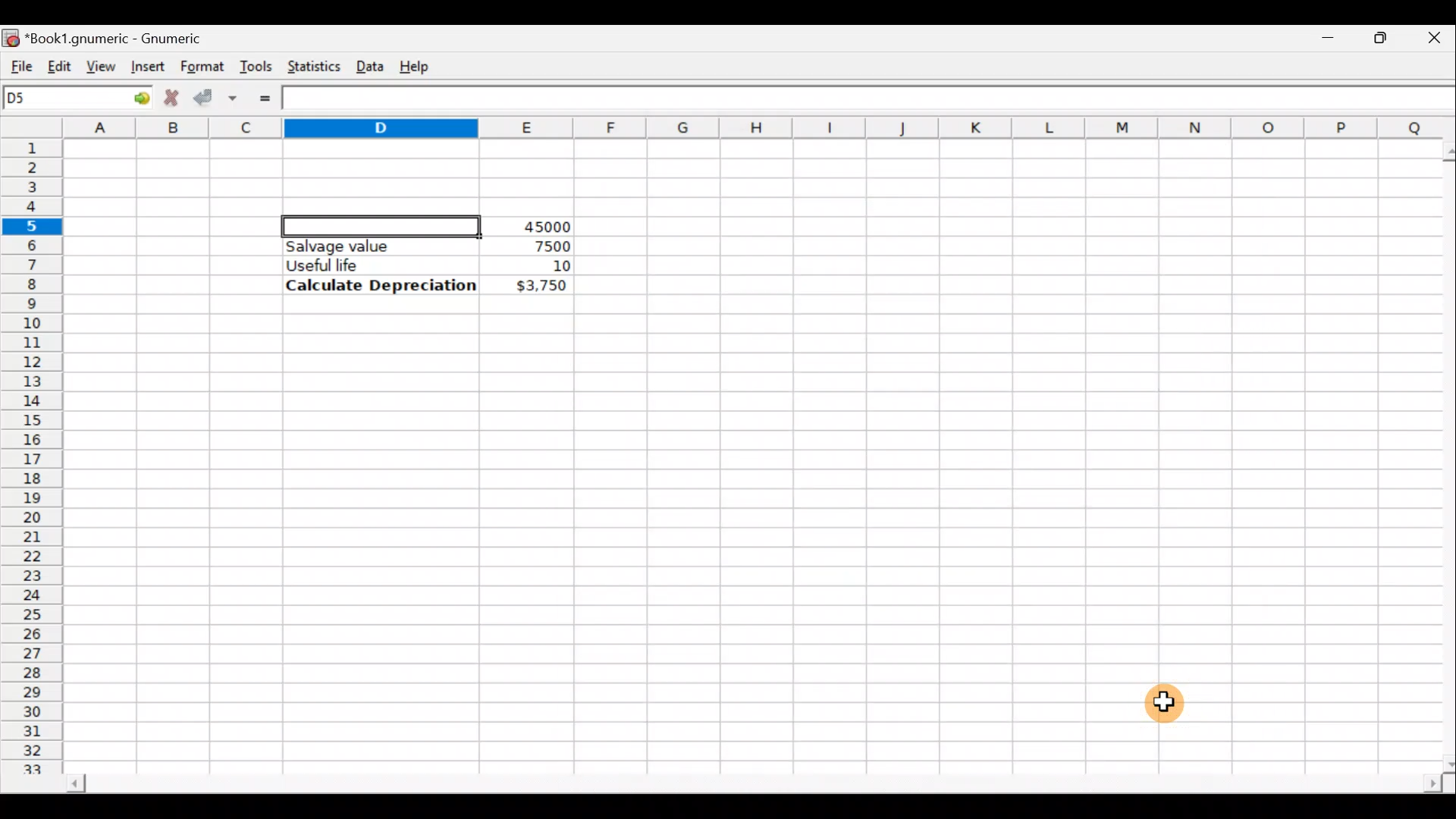 The height and width of the screenshot is (819, 1456). Describe the element at coordinates (367, 246) in the screenshot. I see `Salvage value` at that location.